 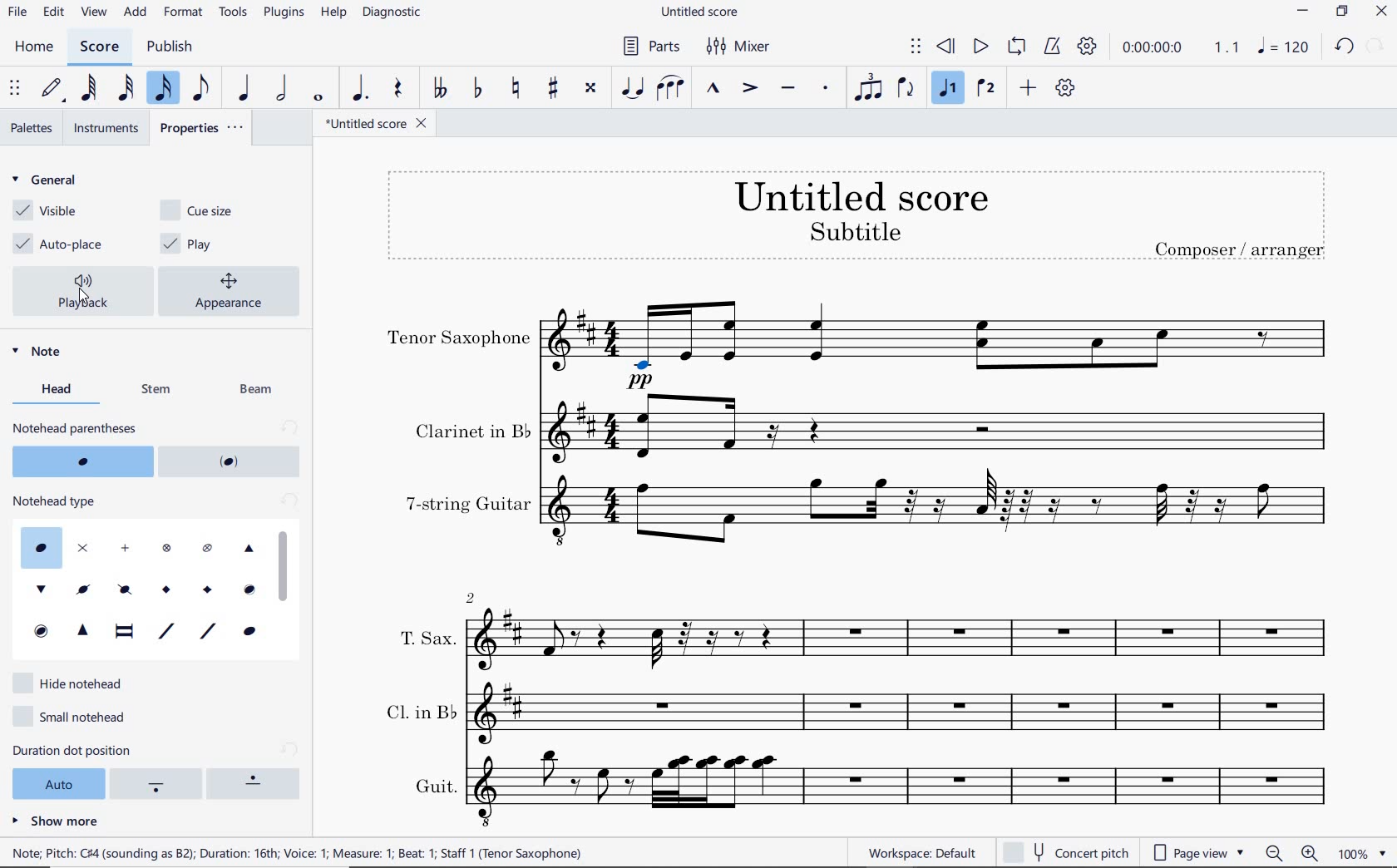 I want to click on format, so click(x=185, y=12).